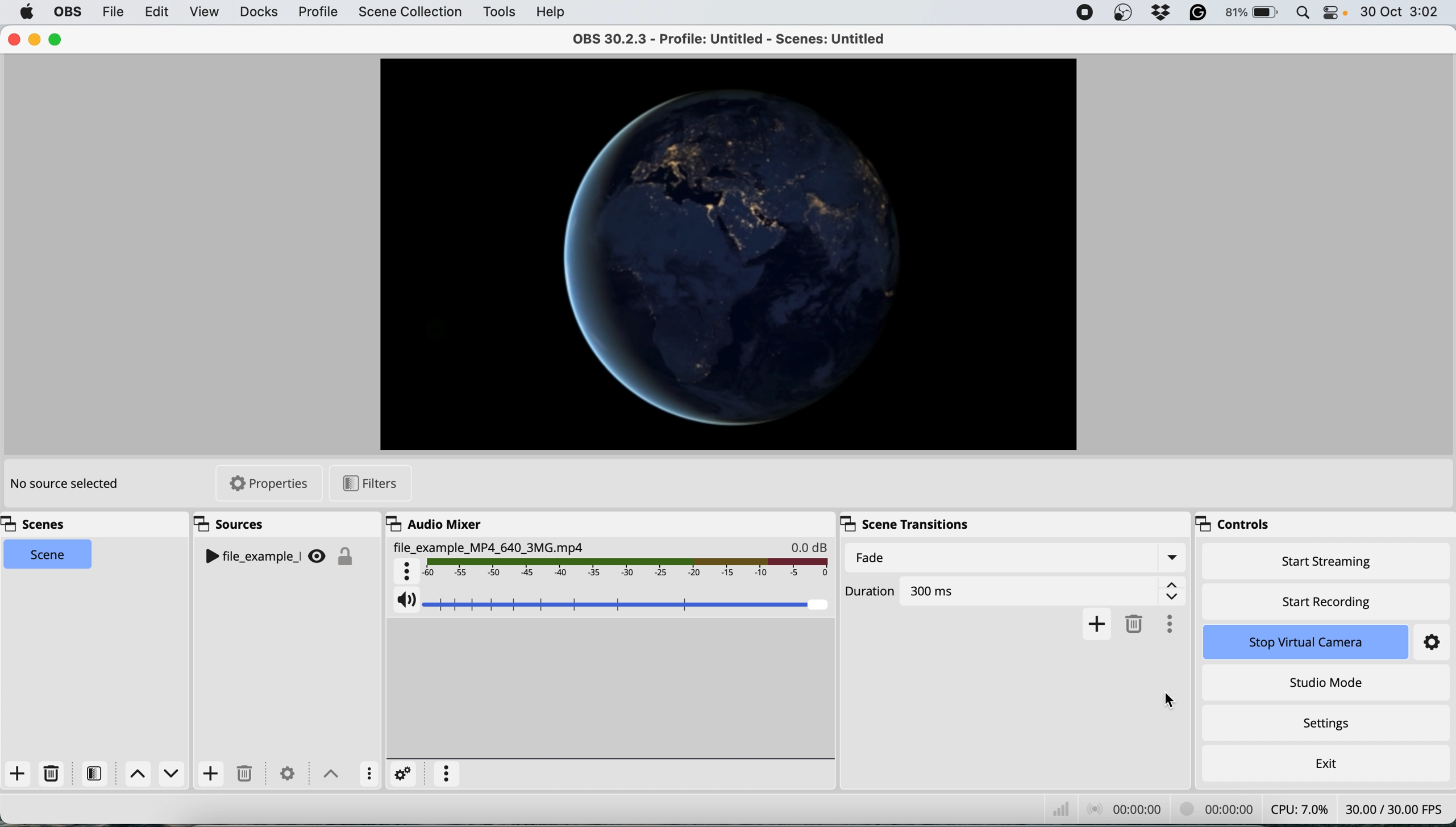 The width and height of the screenshot is (1456, 827). I want to click on scene collection, so click(410, 12).